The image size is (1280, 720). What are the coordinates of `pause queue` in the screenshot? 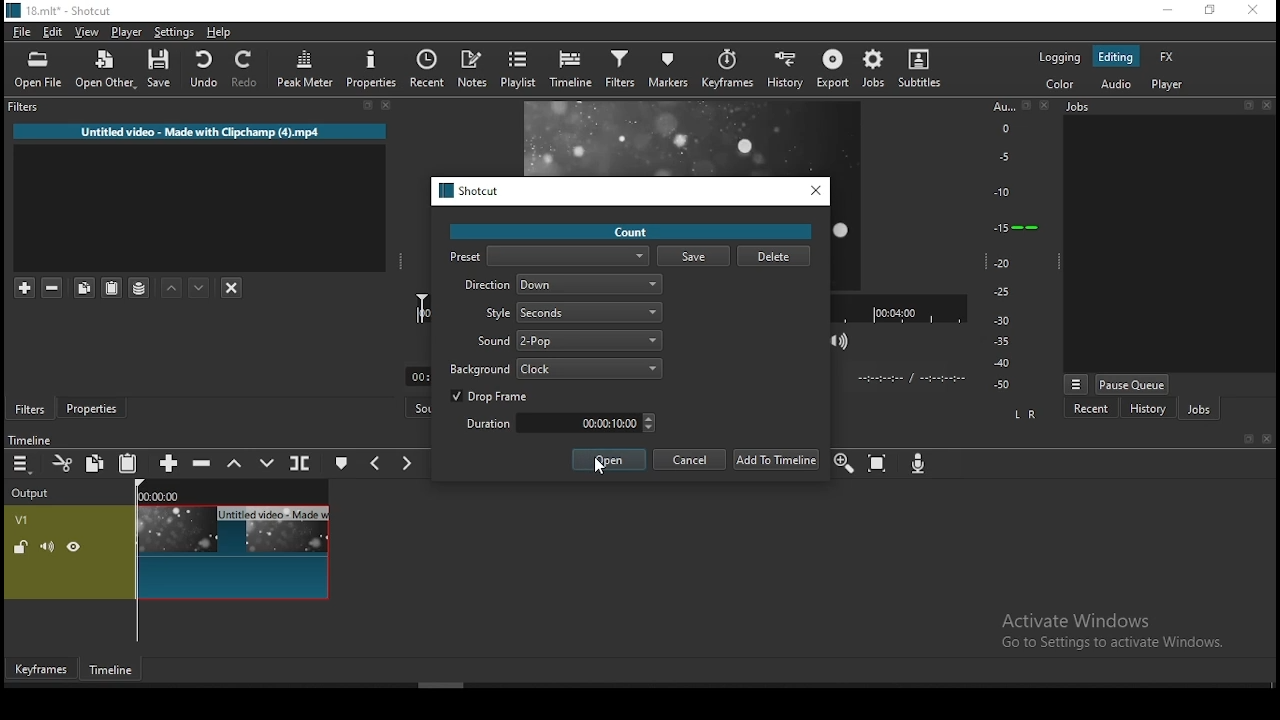 It's located at (1133, 383).